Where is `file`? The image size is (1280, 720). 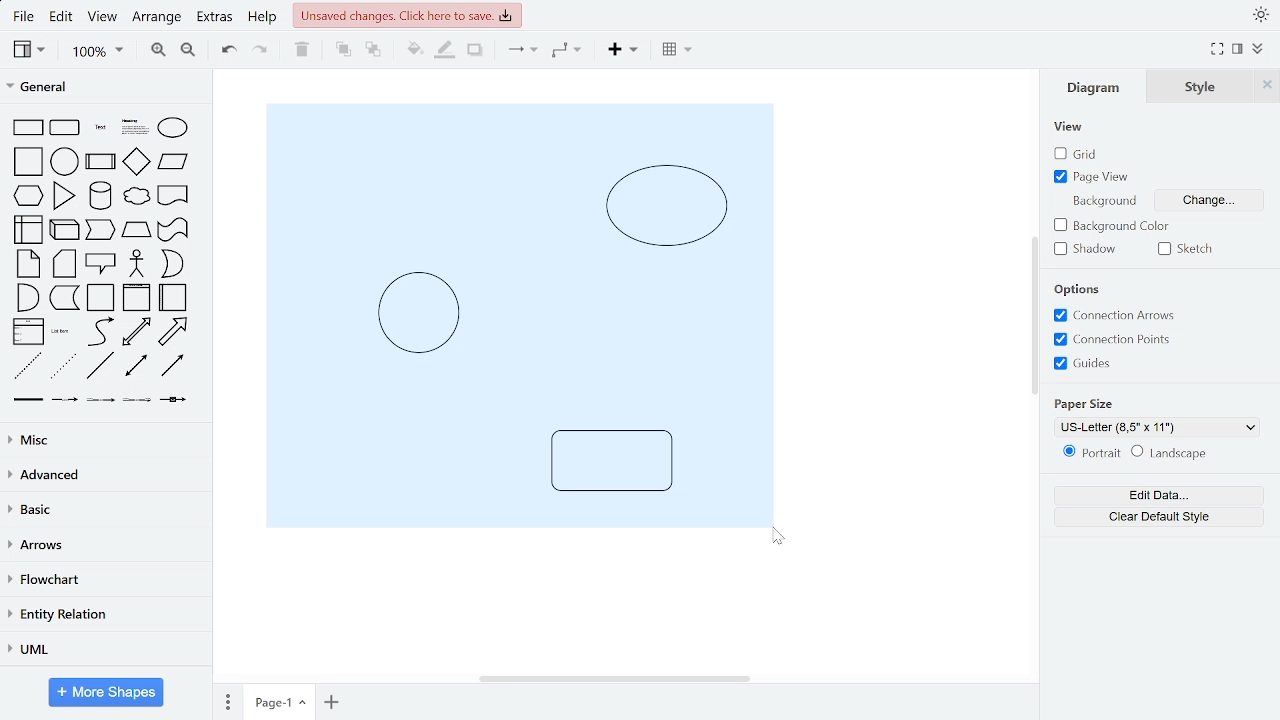 file is located at coordinates (24, 16).